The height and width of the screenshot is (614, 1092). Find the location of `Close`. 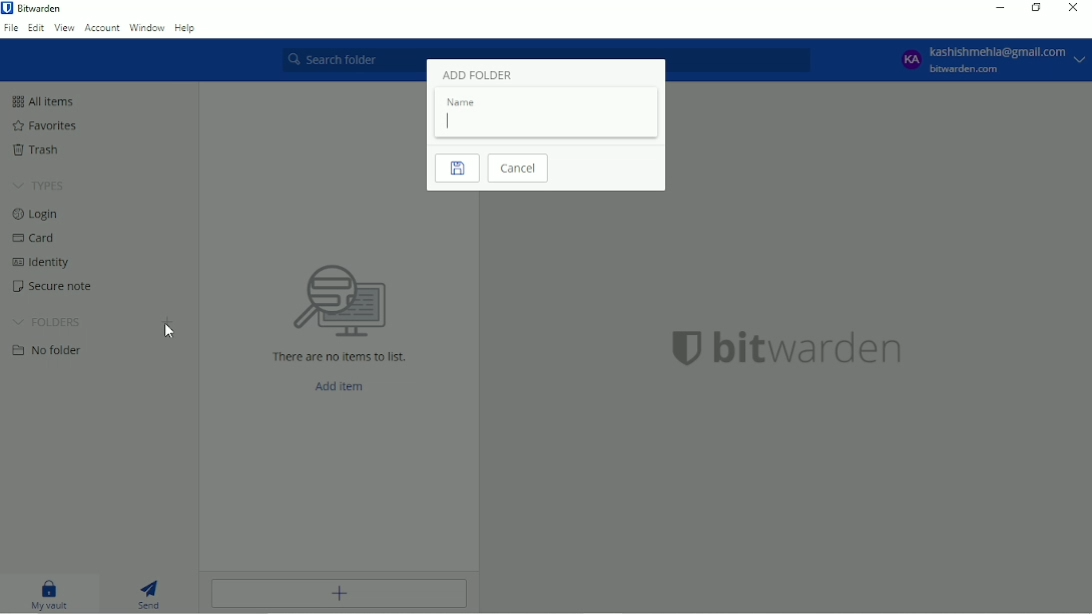

Close is located at coordinates (1073, 8).